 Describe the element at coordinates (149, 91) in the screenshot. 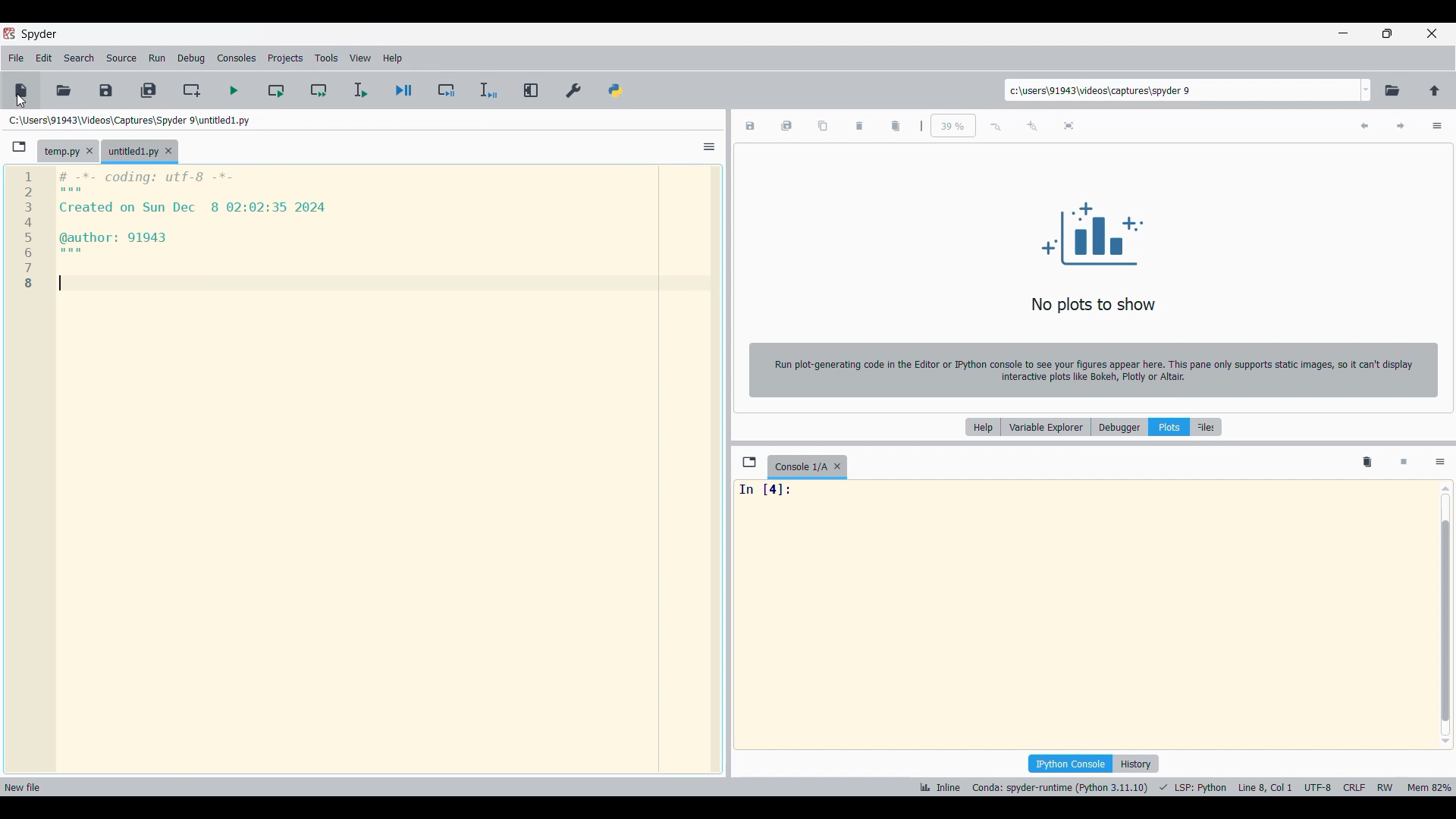

I see `Save all` at that location.